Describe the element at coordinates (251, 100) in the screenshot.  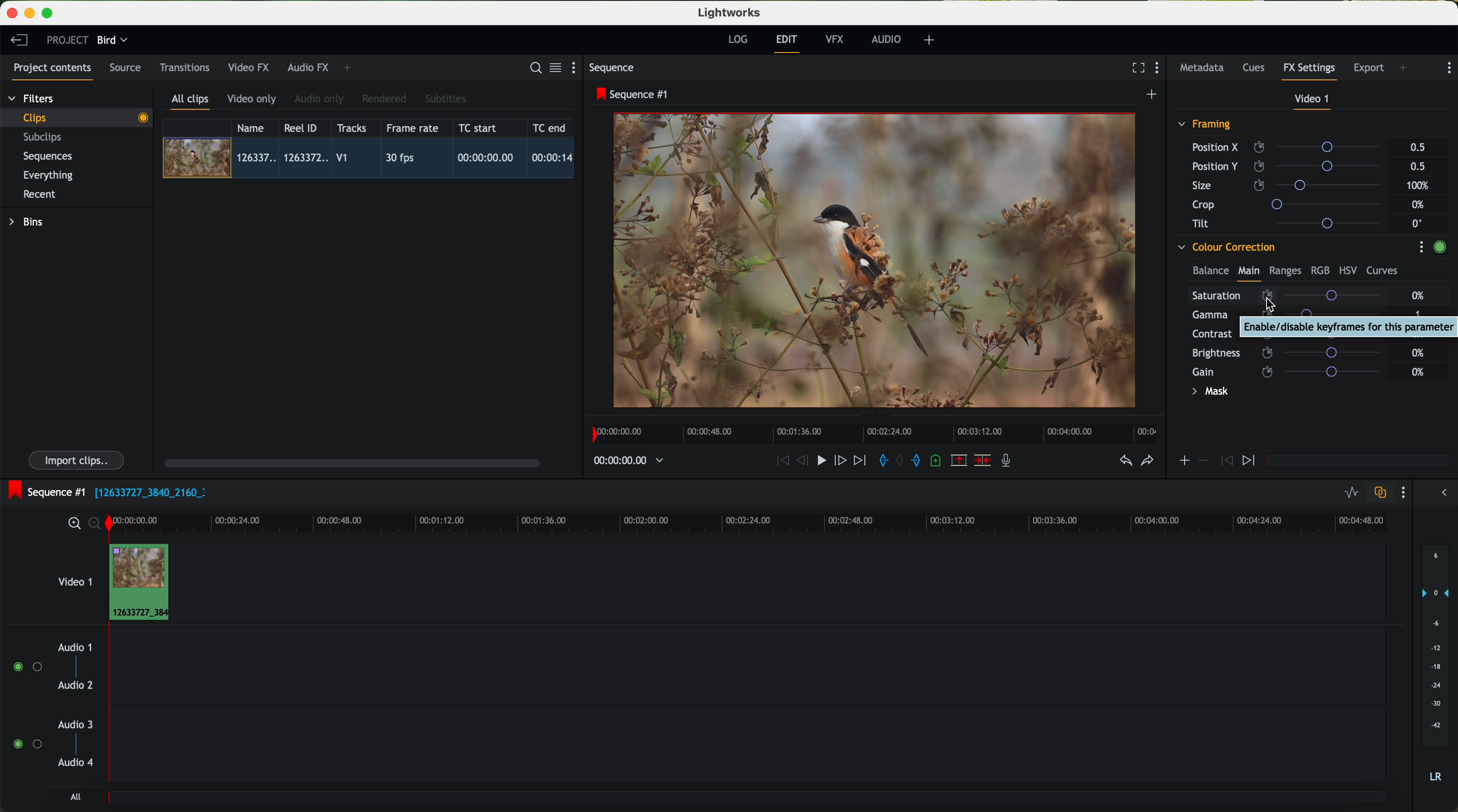
I see `video only` at that location.